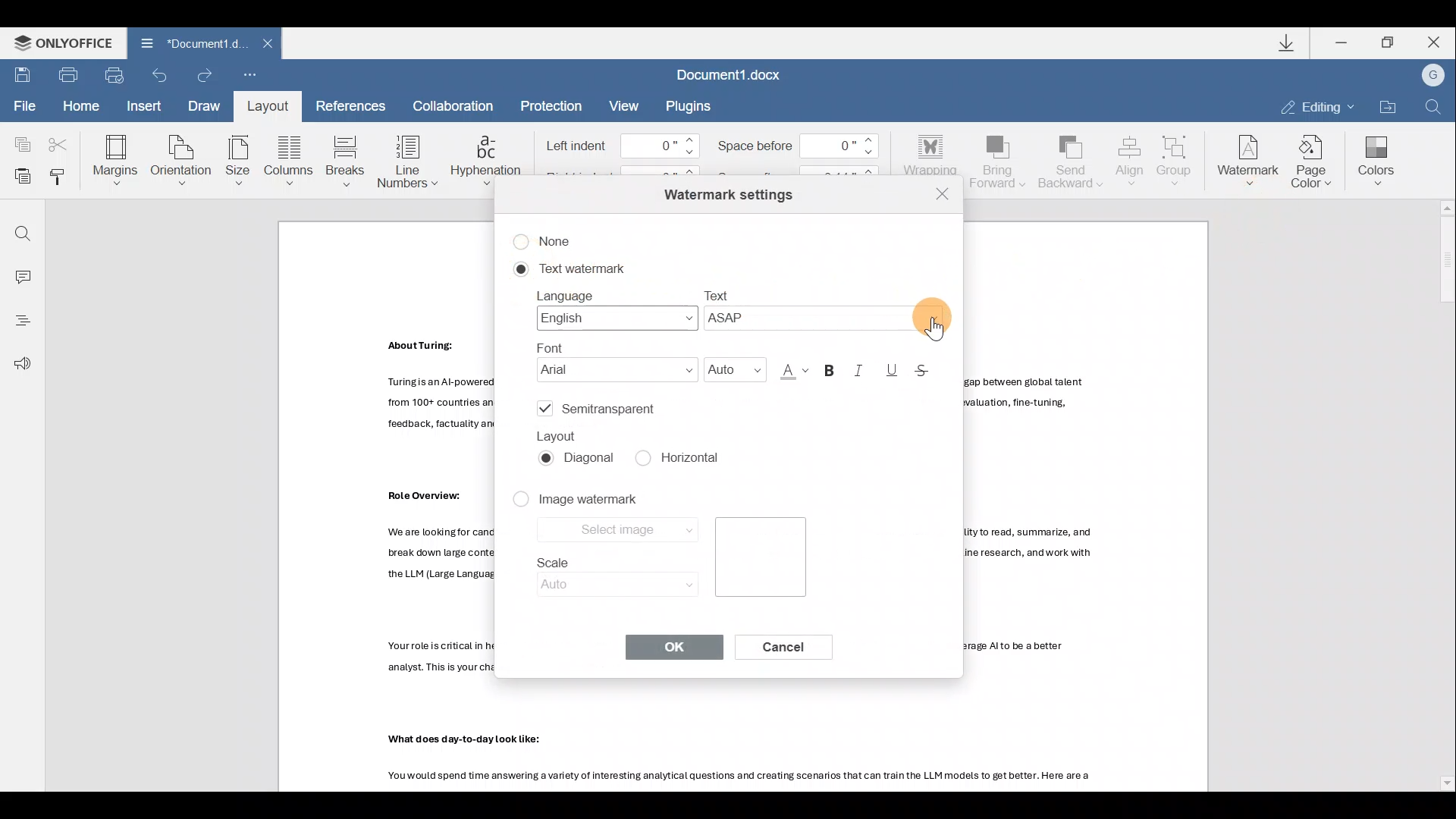  What do you see at coordinates (617, 145) in the screenshot?
I see `Left indent` at bounding box center [617, 145].